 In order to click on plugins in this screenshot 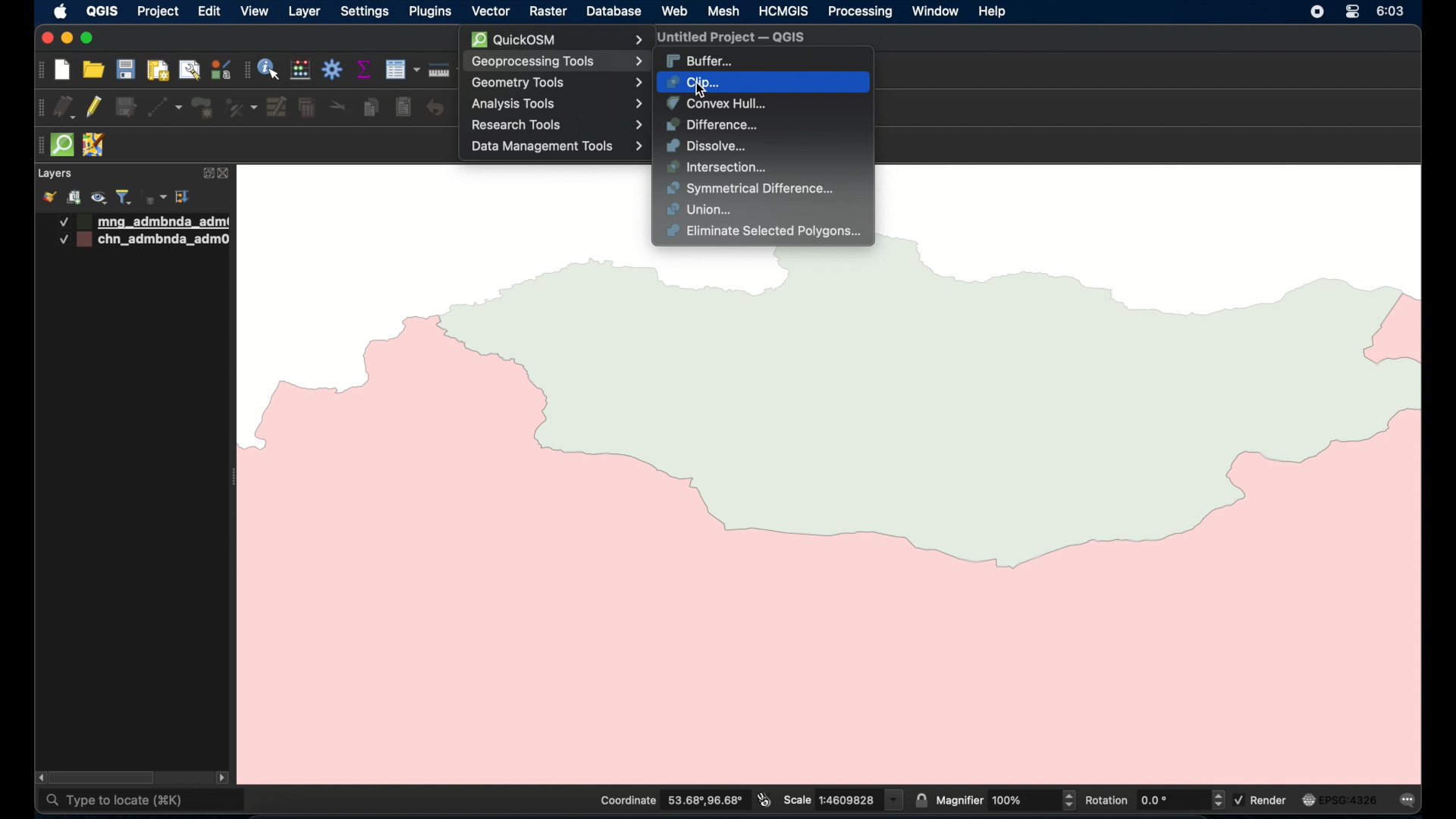, I will do `click(429, 11)`.